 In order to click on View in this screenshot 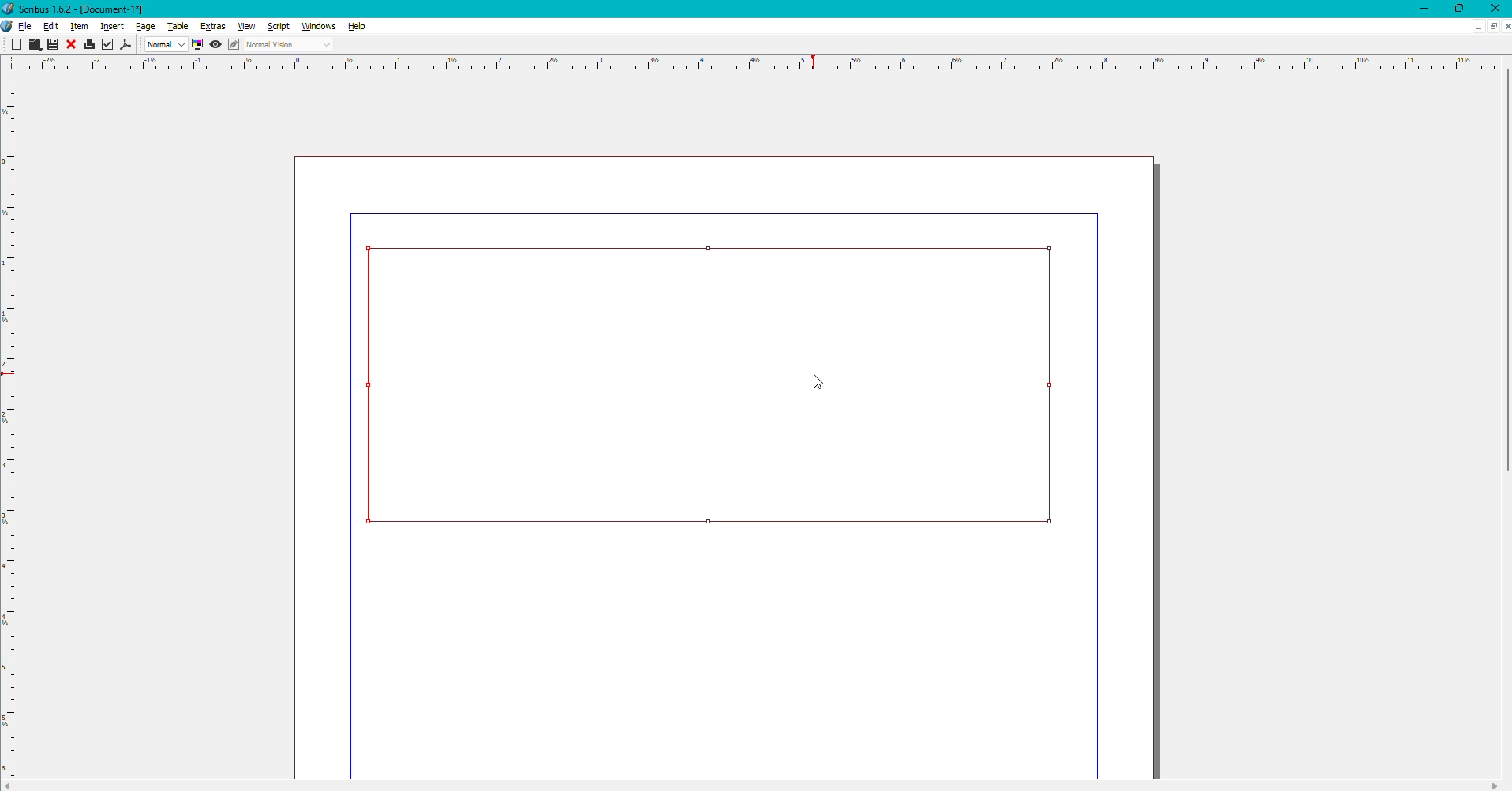, I will do `click(246, 27)`.